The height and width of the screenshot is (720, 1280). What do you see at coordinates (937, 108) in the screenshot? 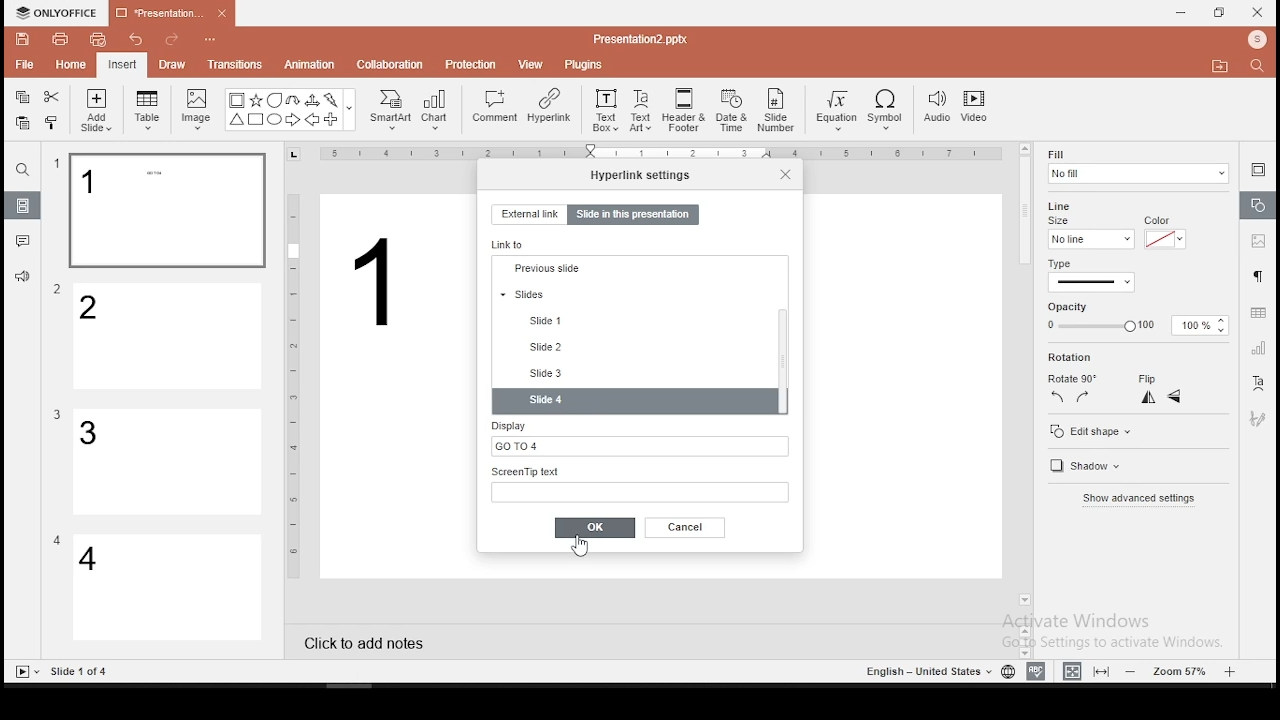
I see `audio` at bounding box center [937, 108].